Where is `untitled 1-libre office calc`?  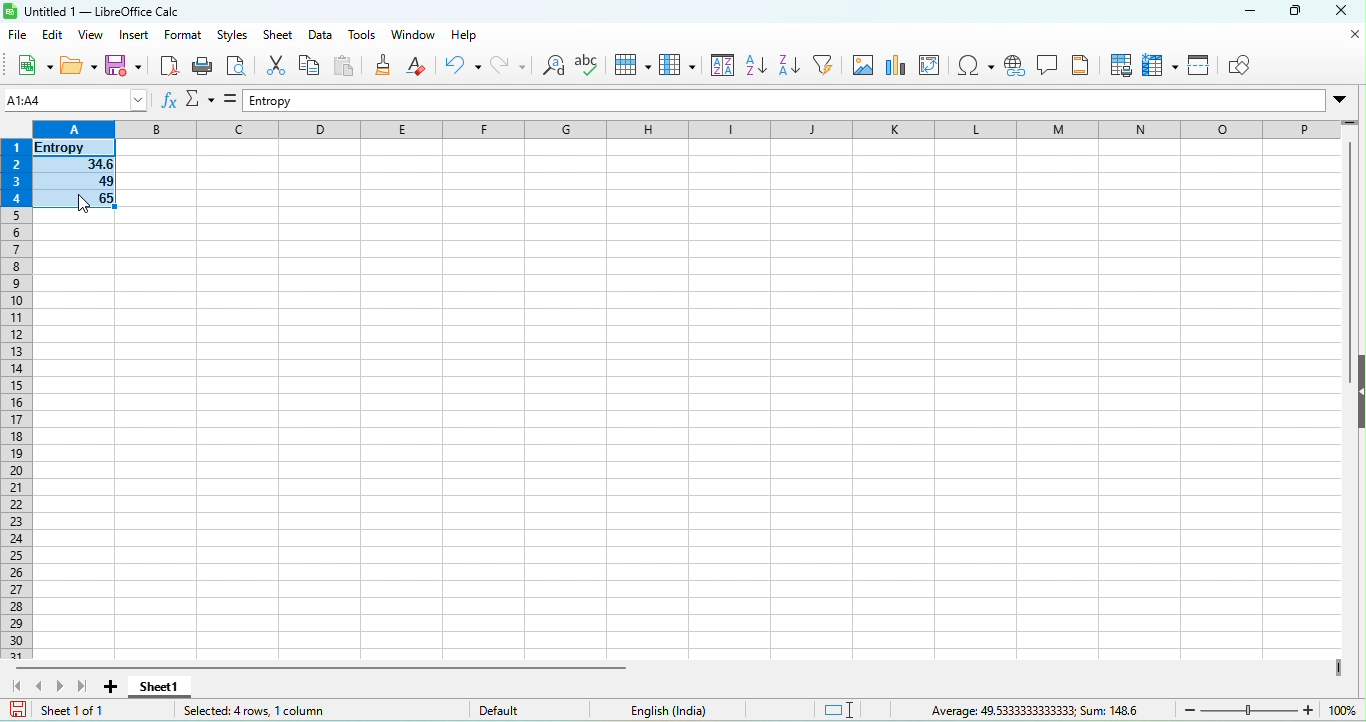
untitled 1-libre office calc is located at coordinates (102, 12).